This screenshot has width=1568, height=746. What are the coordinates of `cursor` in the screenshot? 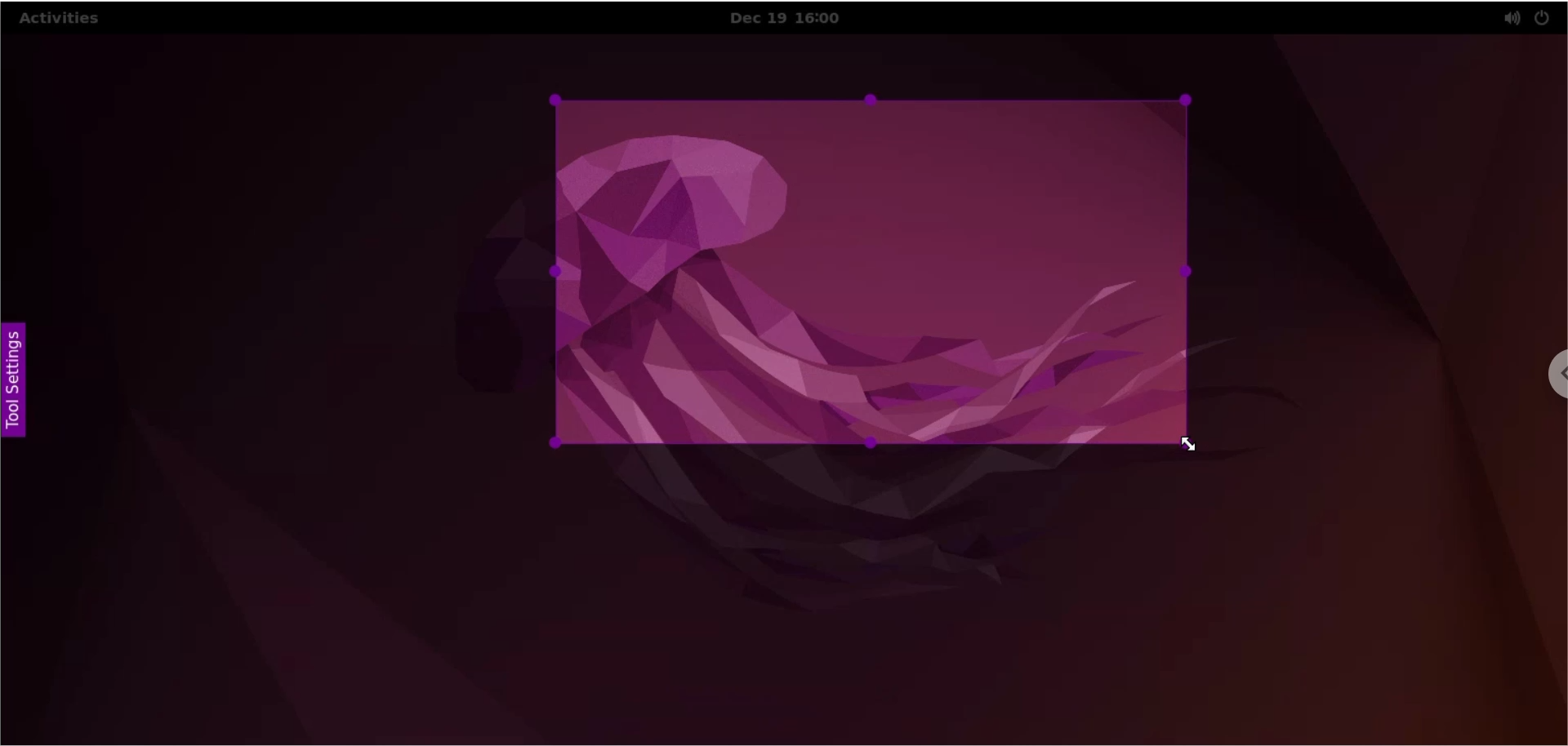 It's located at (1196, 446).